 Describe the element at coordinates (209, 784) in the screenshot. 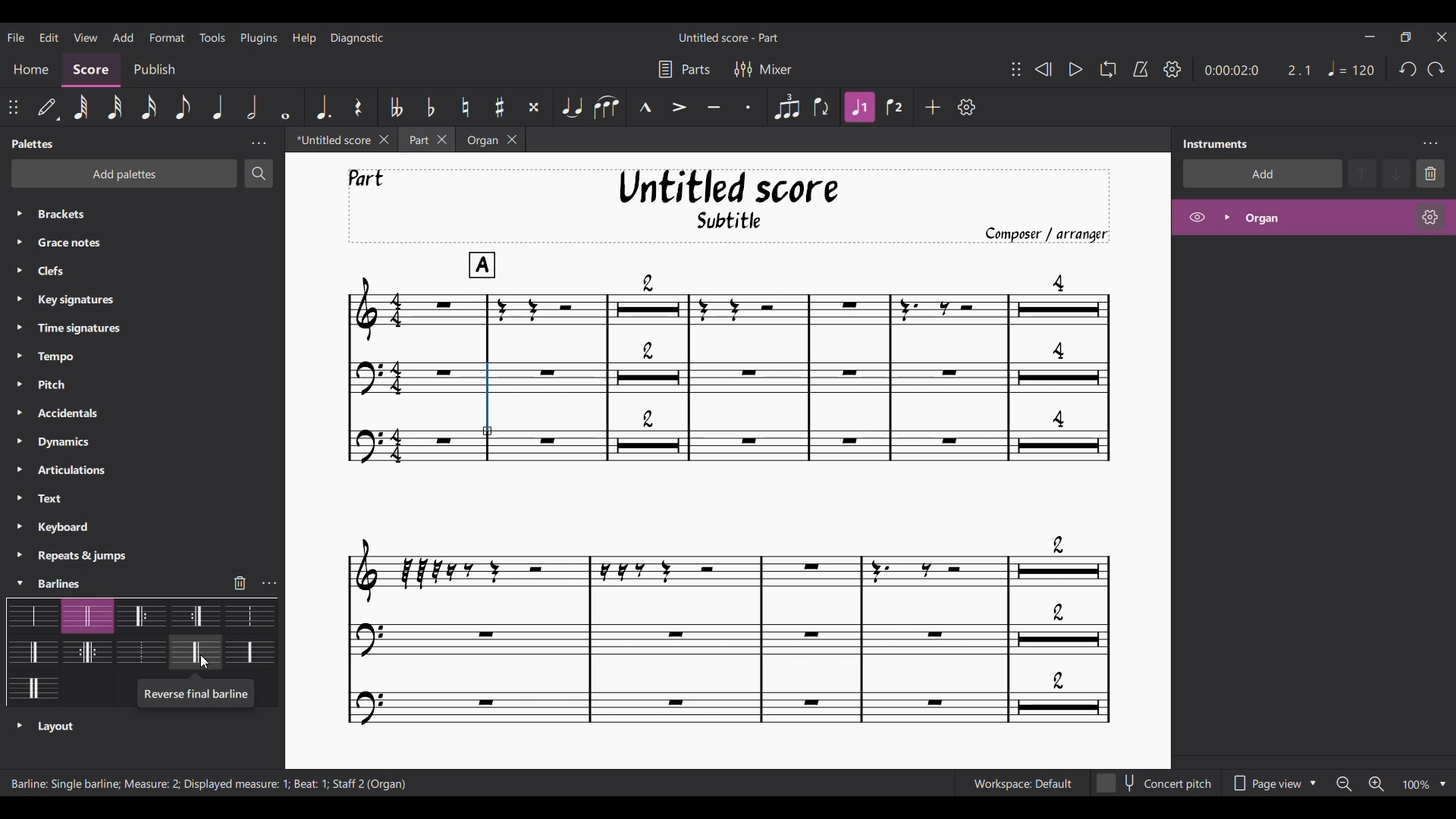

I see `Description of current selection` at that location.